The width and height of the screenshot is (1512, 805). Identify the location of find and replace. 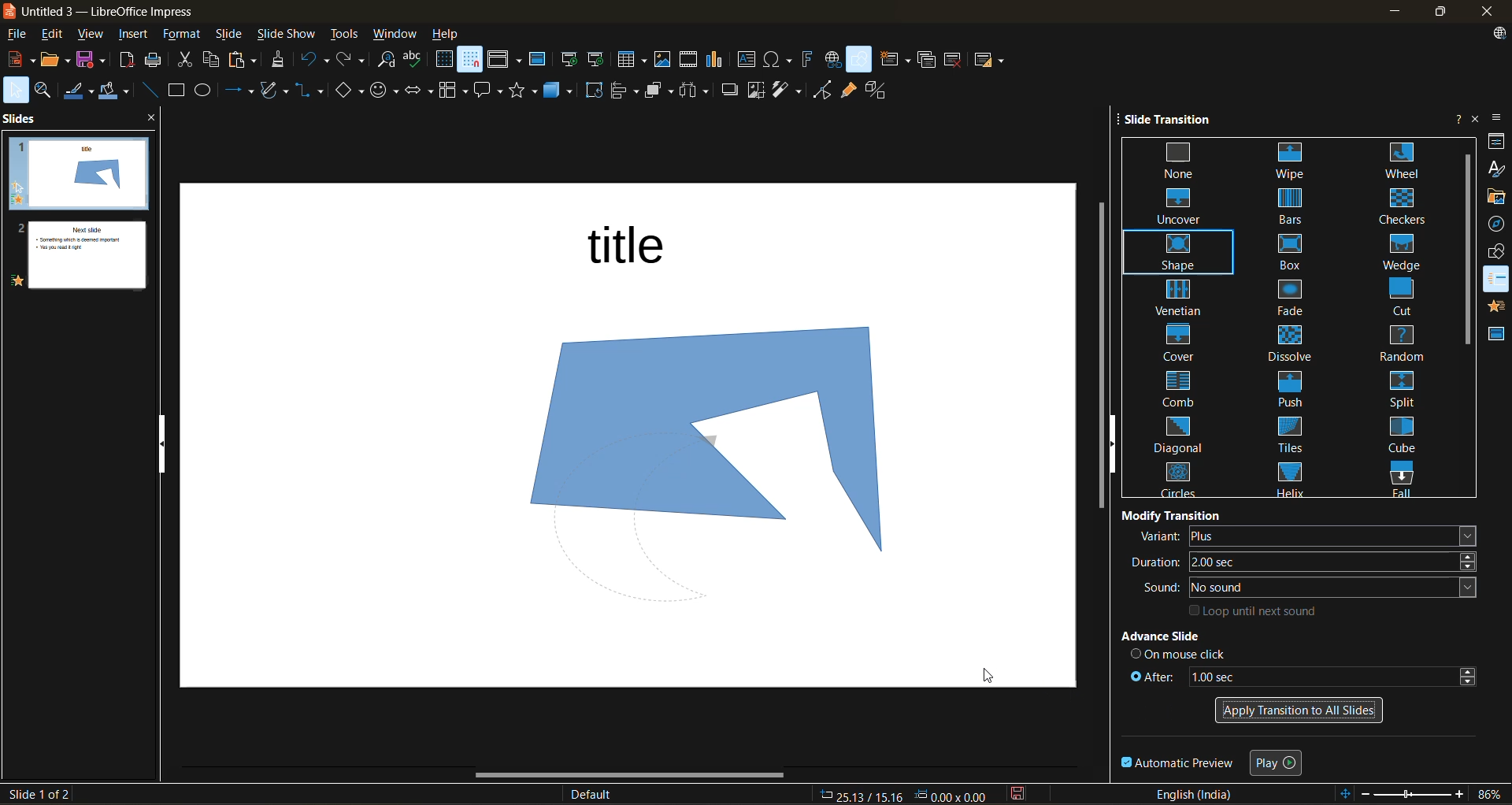
(386, 60).